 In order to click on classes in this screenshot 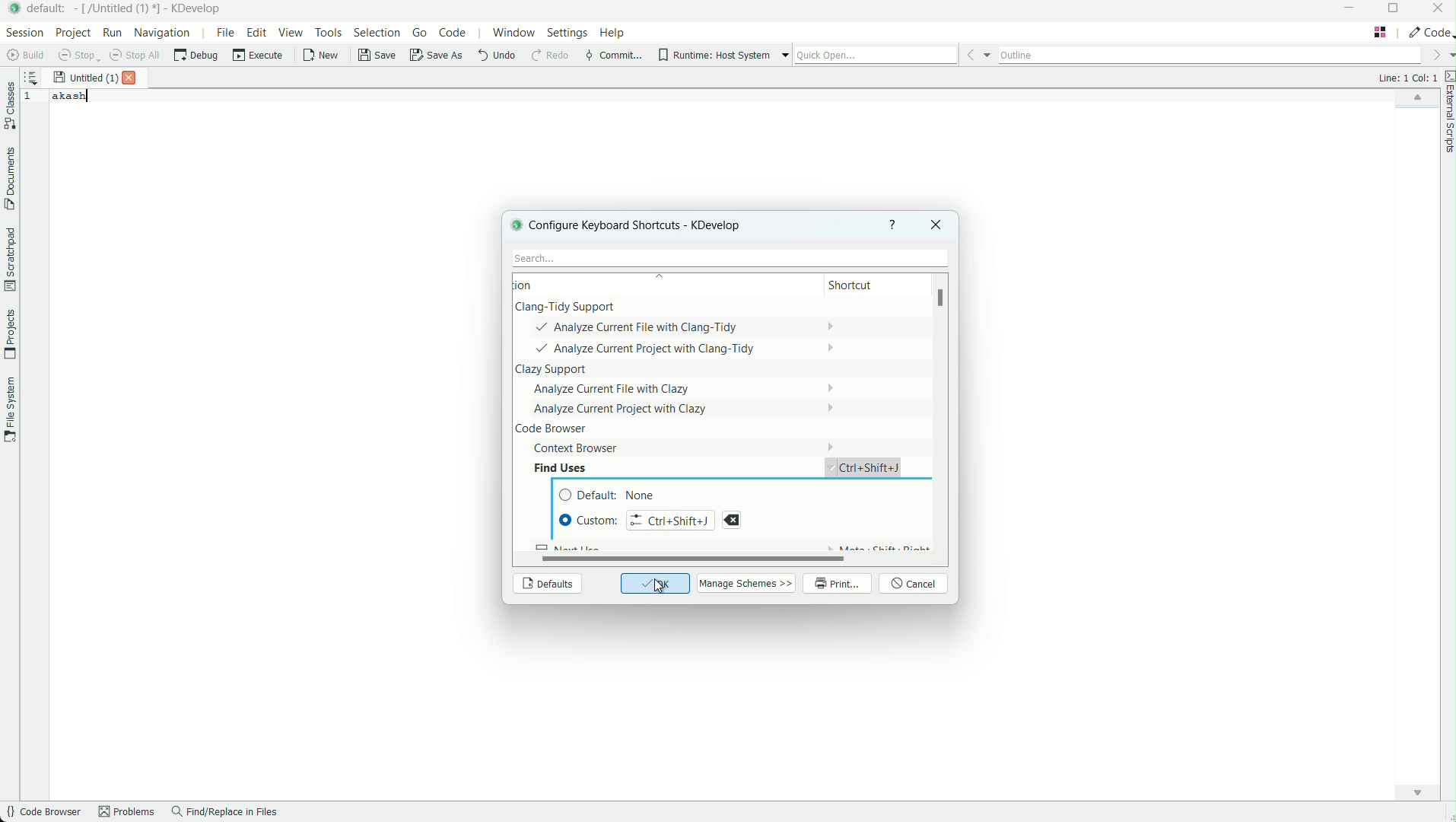, I will do `click(10, 107)`.